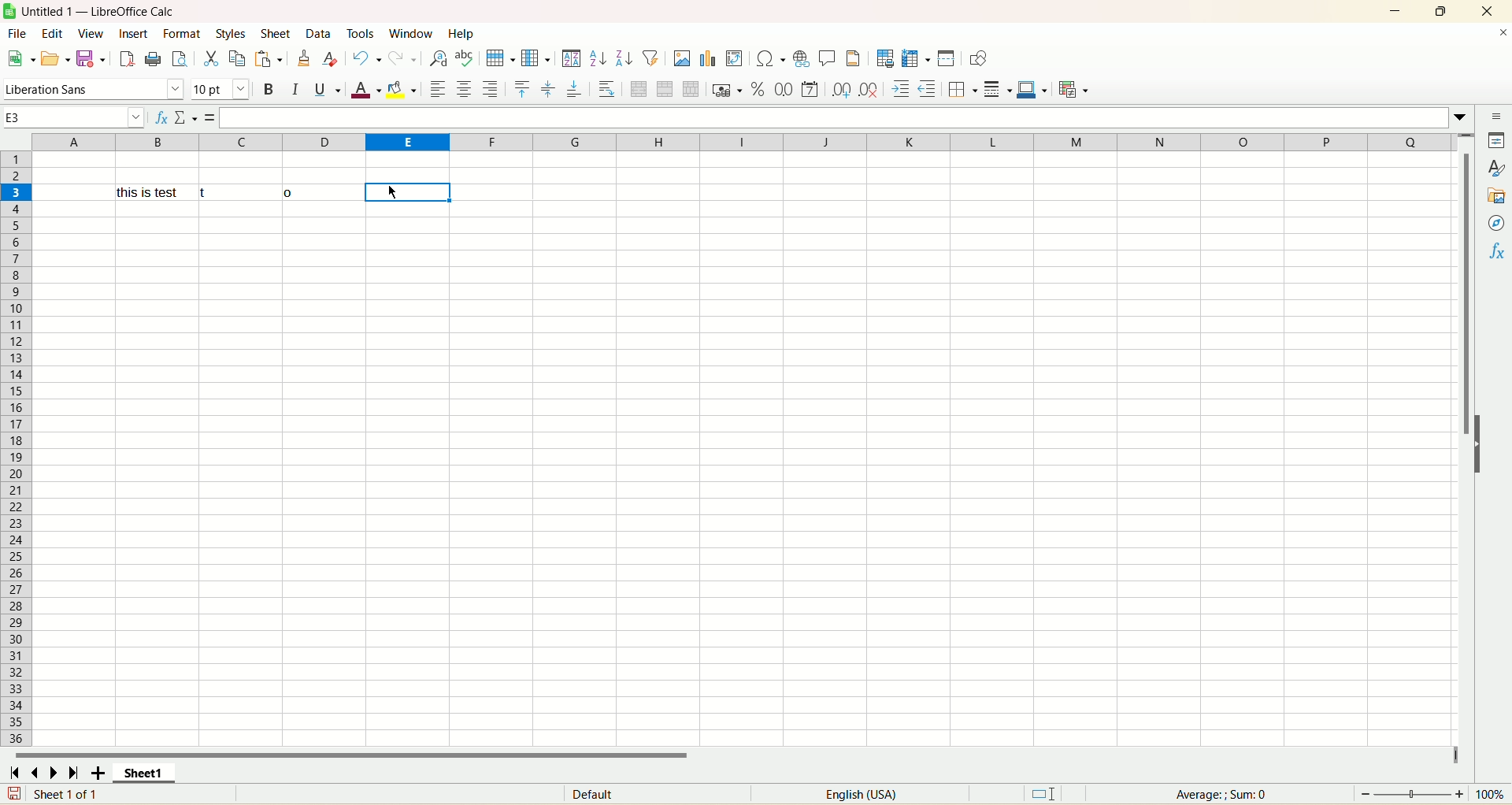 The height and width of the screenshot is (805, 1512). Describe the element at coordinates (1395, 12) in the screenshot. I see `minimize` at that location.